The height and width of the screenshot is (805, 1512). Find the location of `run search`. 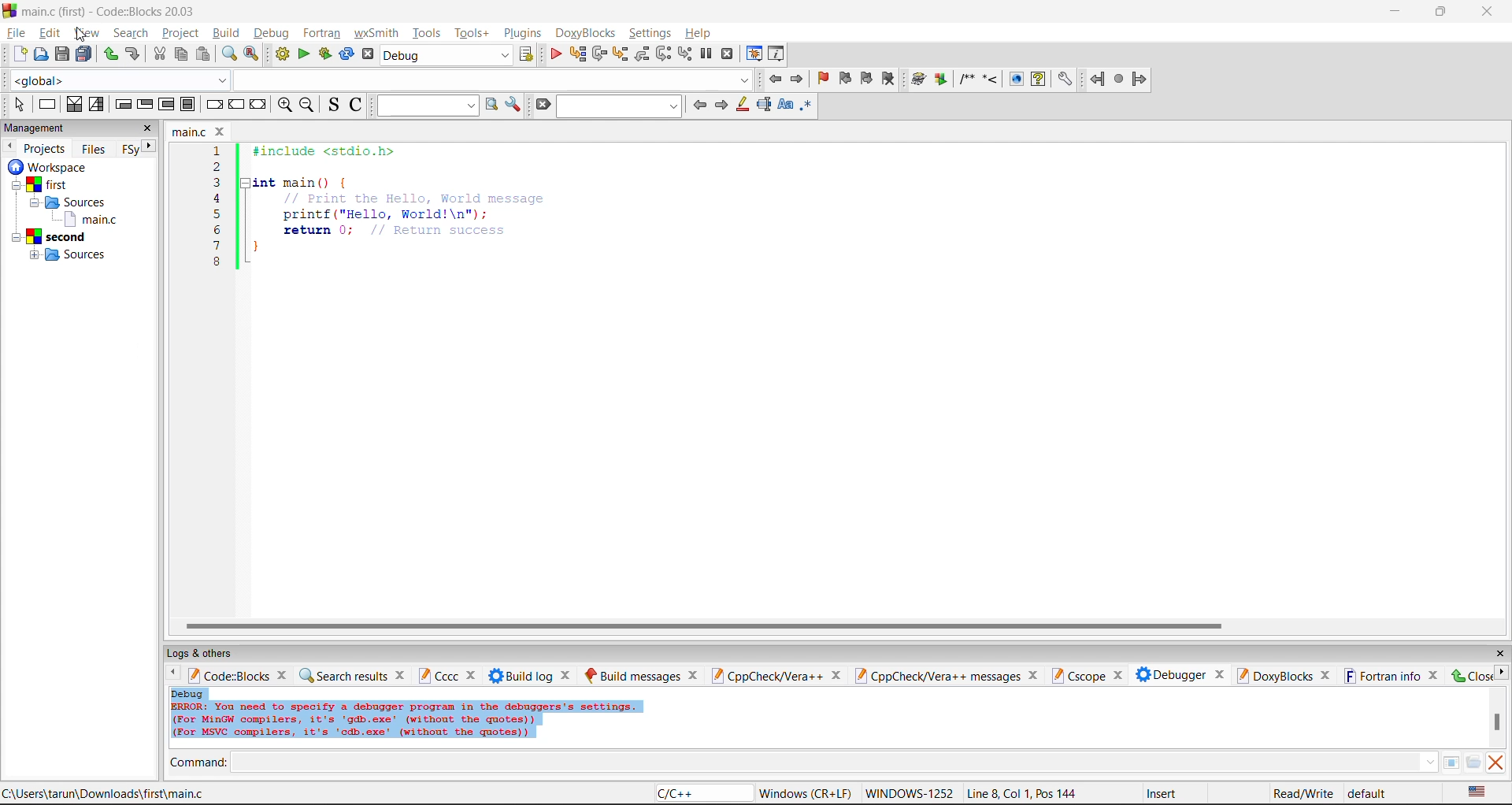

run search is located at coordinates (491, 106).